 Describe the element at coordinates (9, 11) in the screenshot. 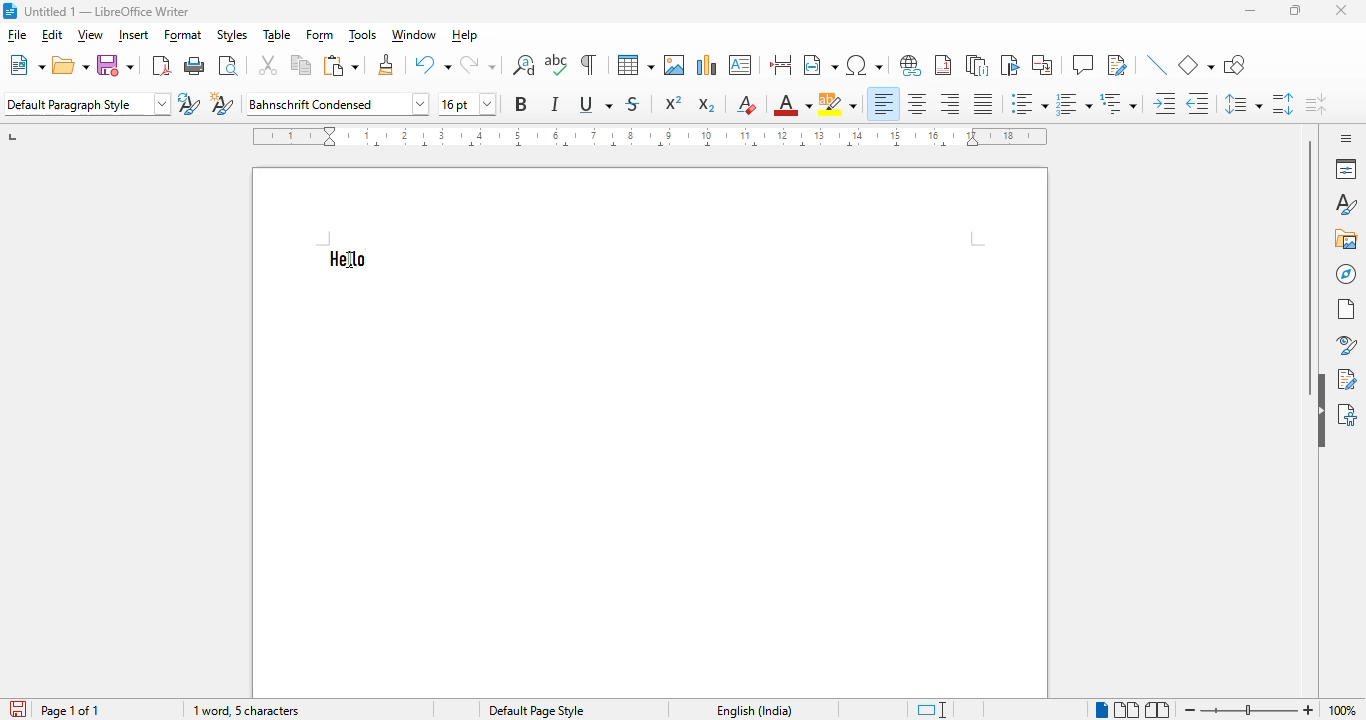

I see `Logo` at that location.